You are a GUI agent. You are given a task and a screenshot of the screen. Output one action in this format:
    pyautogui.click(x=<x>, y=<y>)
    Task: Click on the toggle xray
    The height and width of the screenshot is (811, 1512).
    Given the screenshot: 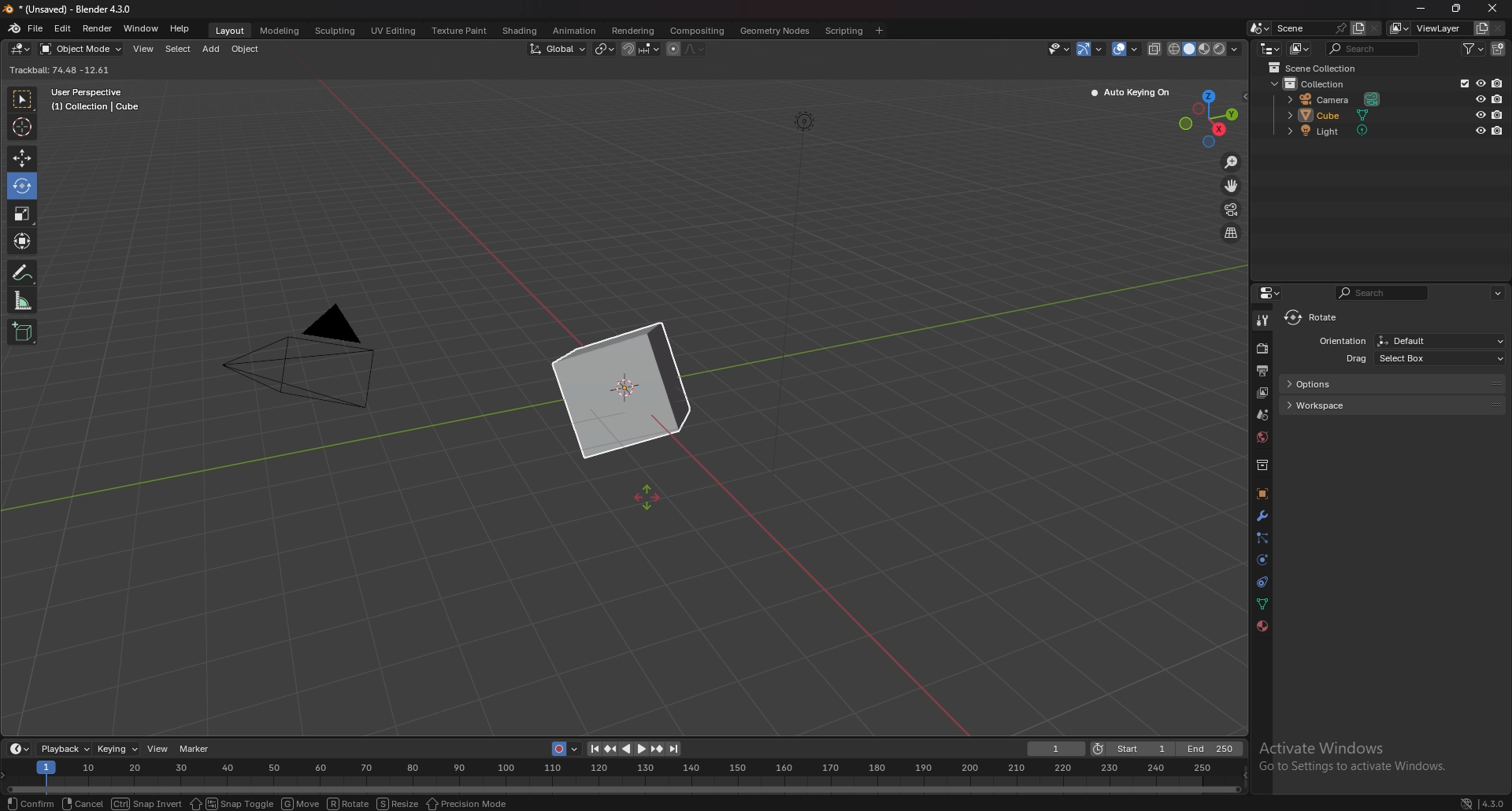 What is the action you would take?
    pyautogui.click(x=1155, y=49)
    